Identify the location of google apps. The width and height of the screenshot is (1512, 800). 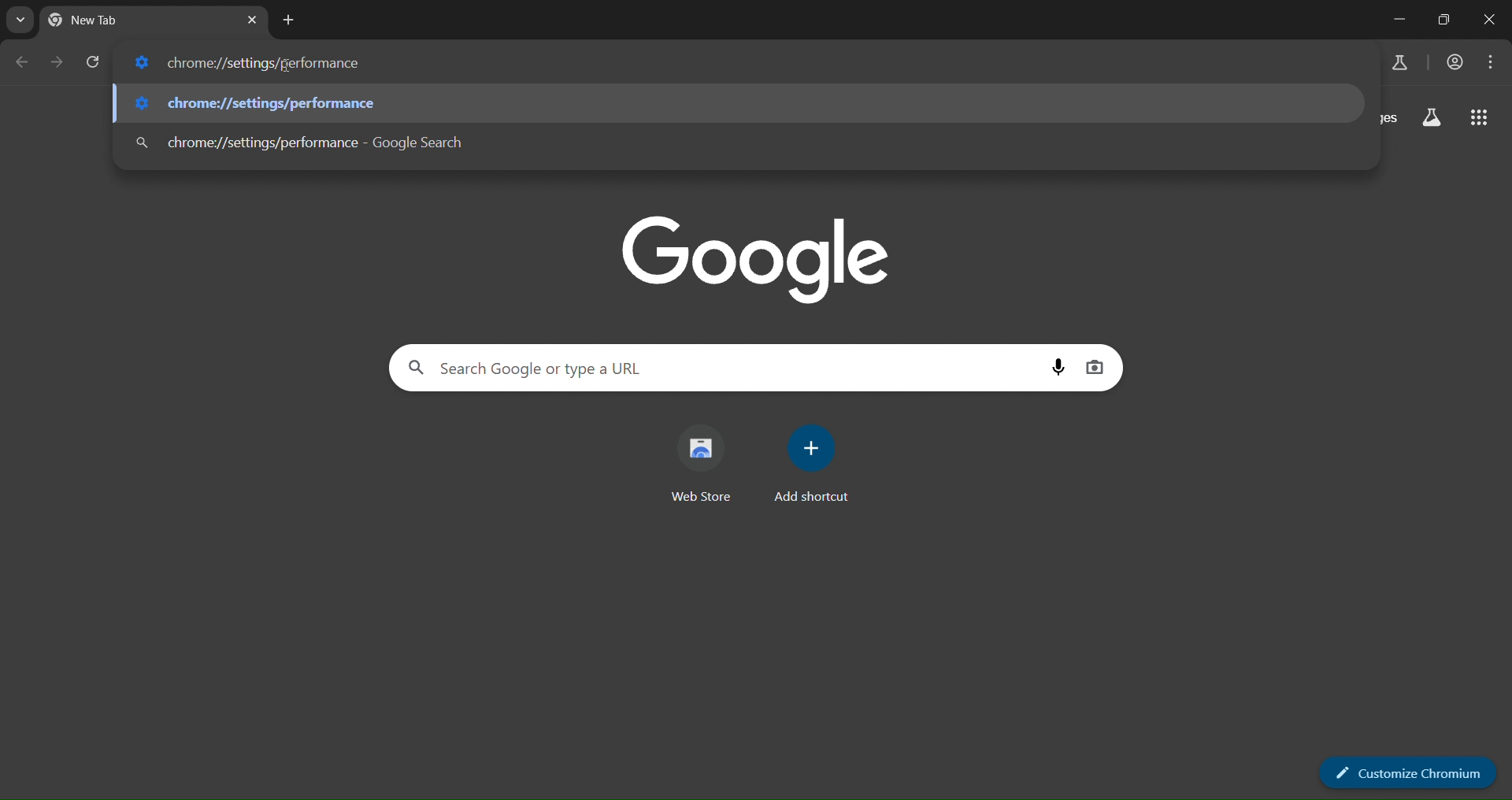
(1477, 117).